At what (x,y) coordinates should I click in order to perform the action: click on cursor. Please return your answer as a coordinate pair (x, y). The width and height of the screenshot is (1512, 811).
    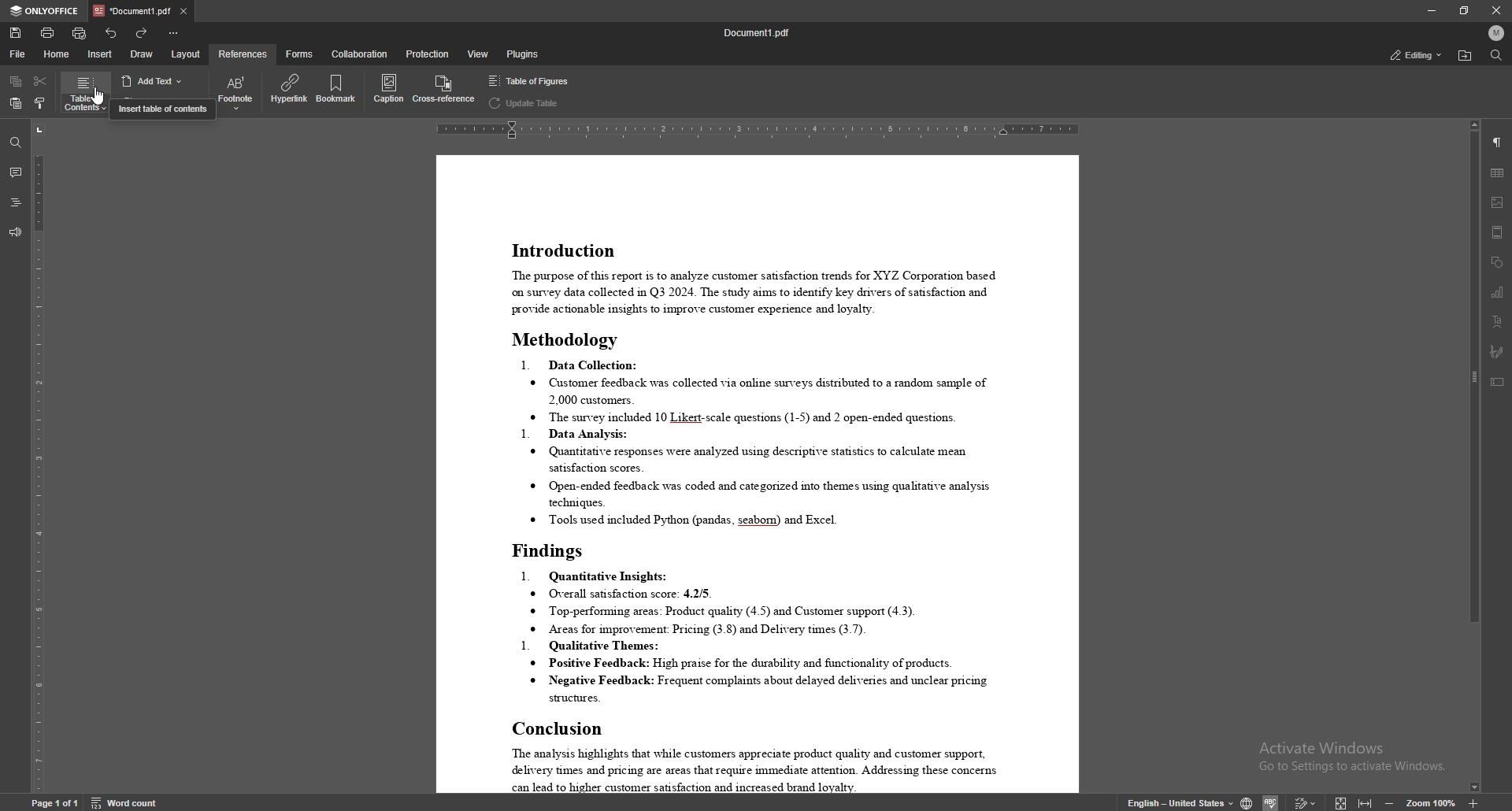
    Looking at the image, I should click on (98, 98).